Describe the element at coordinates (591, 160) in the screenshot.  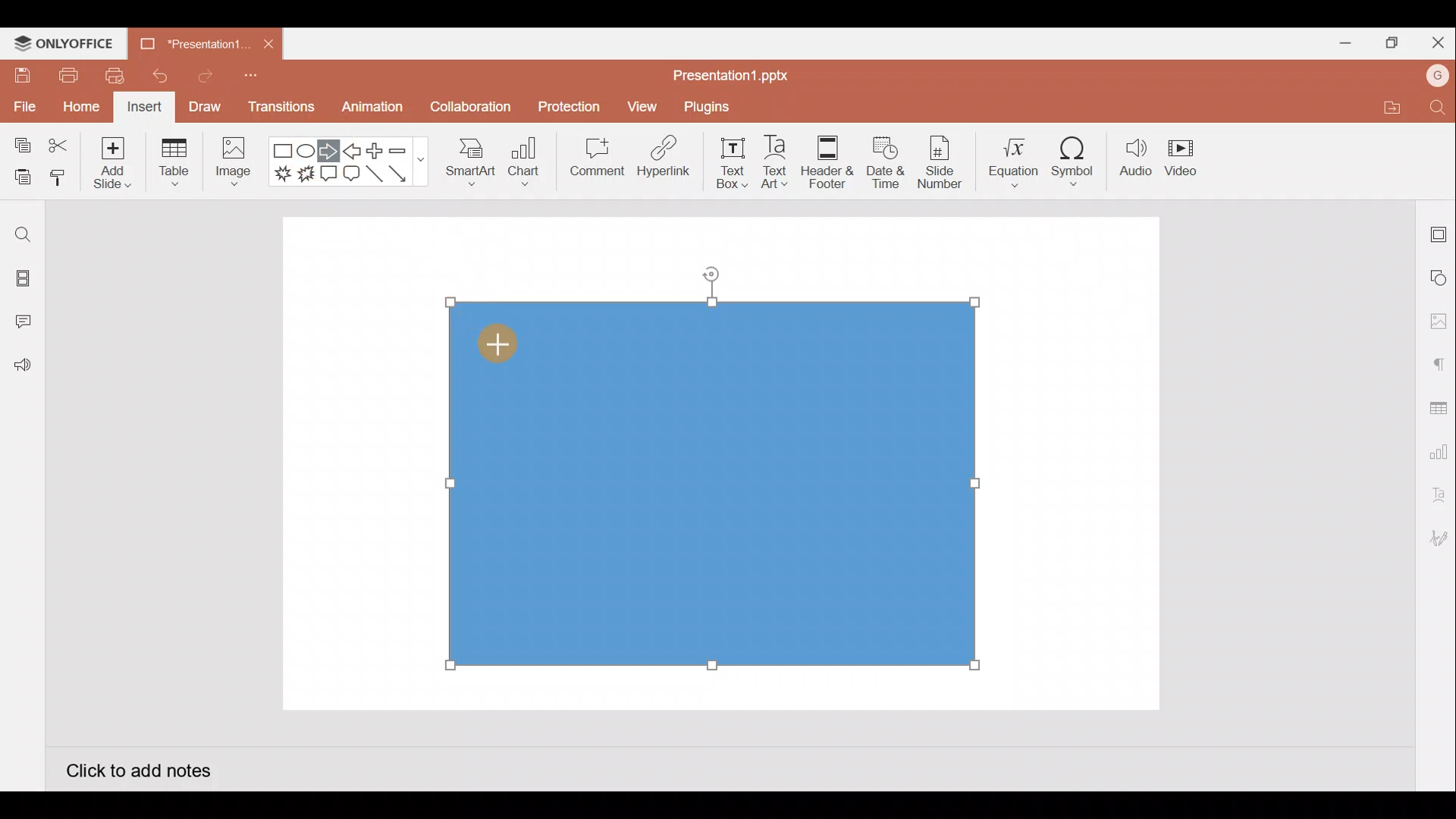
I see `Comment` at that location.